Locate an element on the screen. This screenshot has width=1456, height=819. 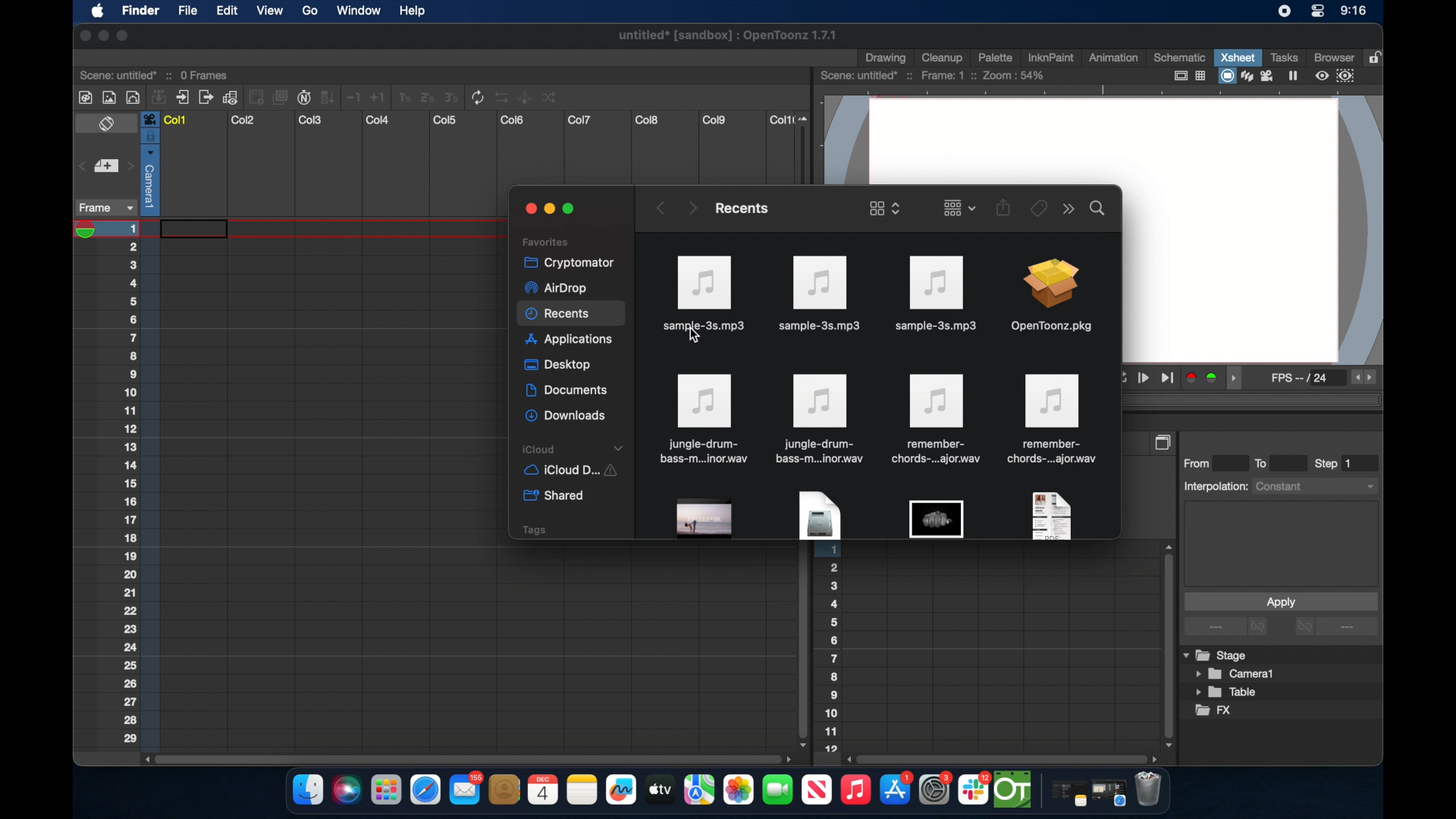
mp3 icon is located at coordinates (704, 288).